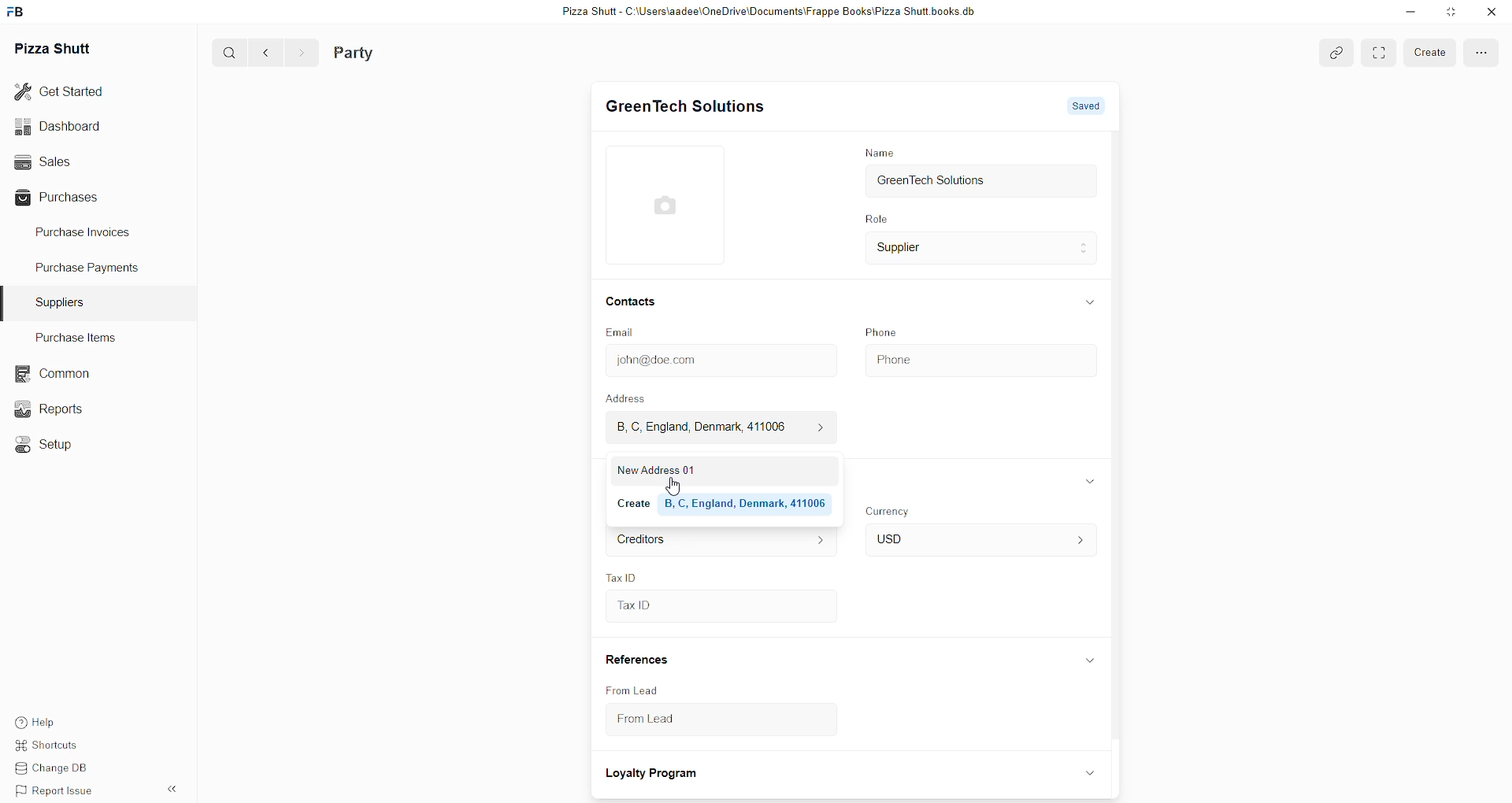 Image resolution: width=1512 pixels, height=803 pixels. I want to click on usD , so click(978, 541).